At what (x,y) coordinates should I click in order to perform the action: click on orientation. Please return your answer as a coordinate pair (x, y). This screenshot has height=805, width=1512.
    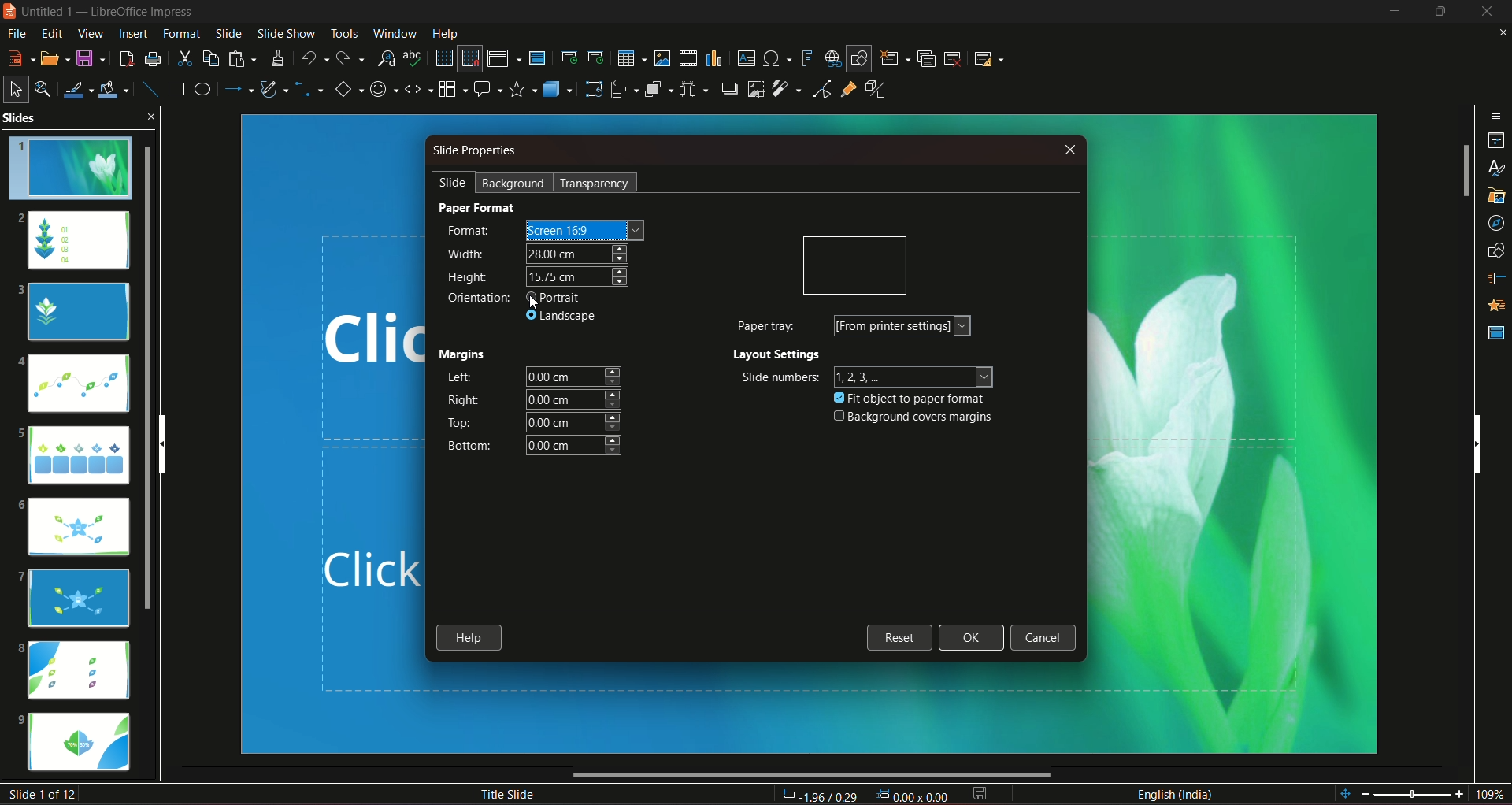
    Looking at the image, I should click on (477, 298).